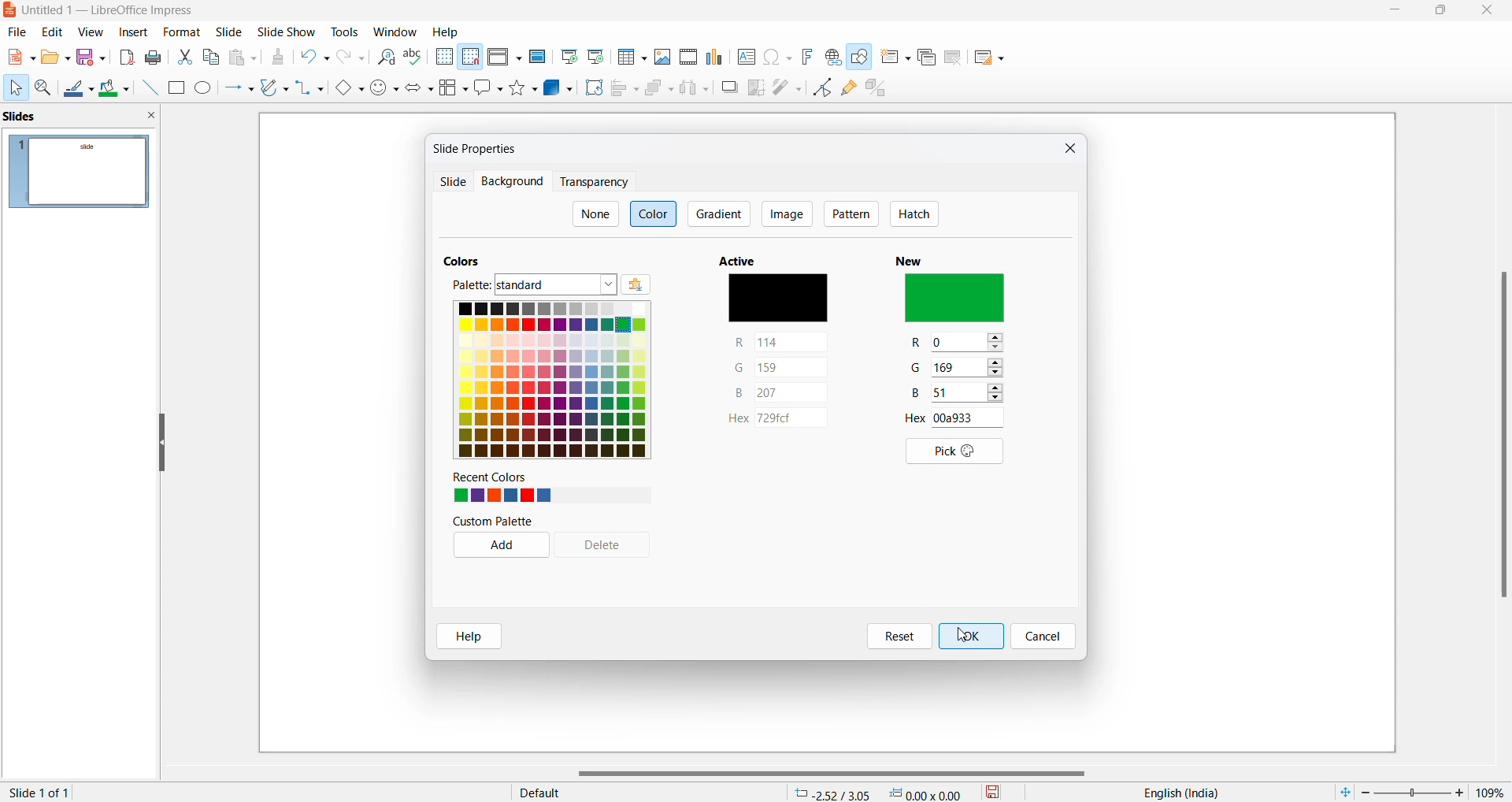 This screenshot has width=1512, height=802. What do you see at coordinates (640, 792) in the screenshot?
I see `page style` at bounding box center [640, 792].